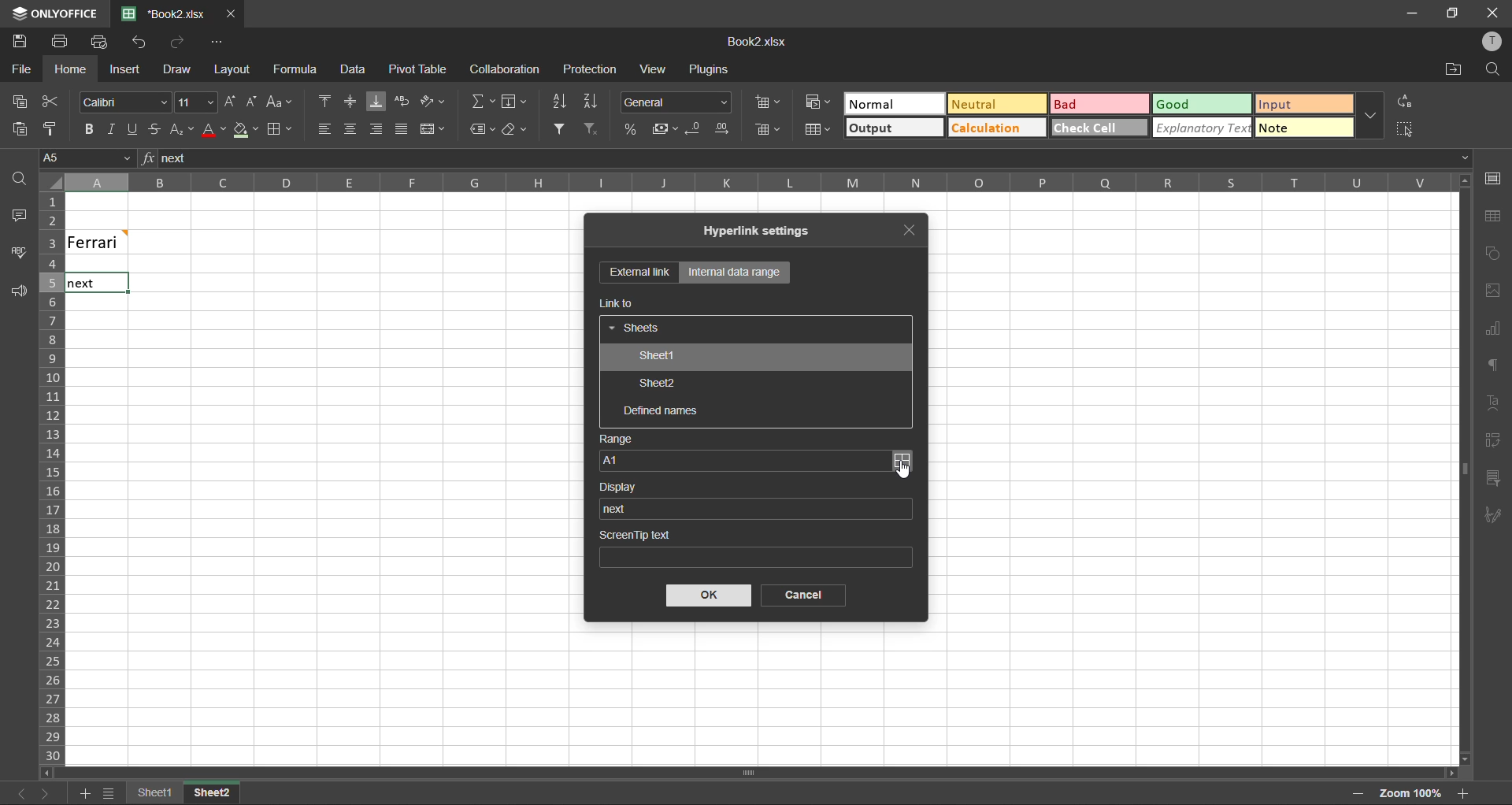 The width and height of the screenshot is (1512, 805). Describe the element at coordinates (1493, 293) in the screenshot. I see `image` at that location.